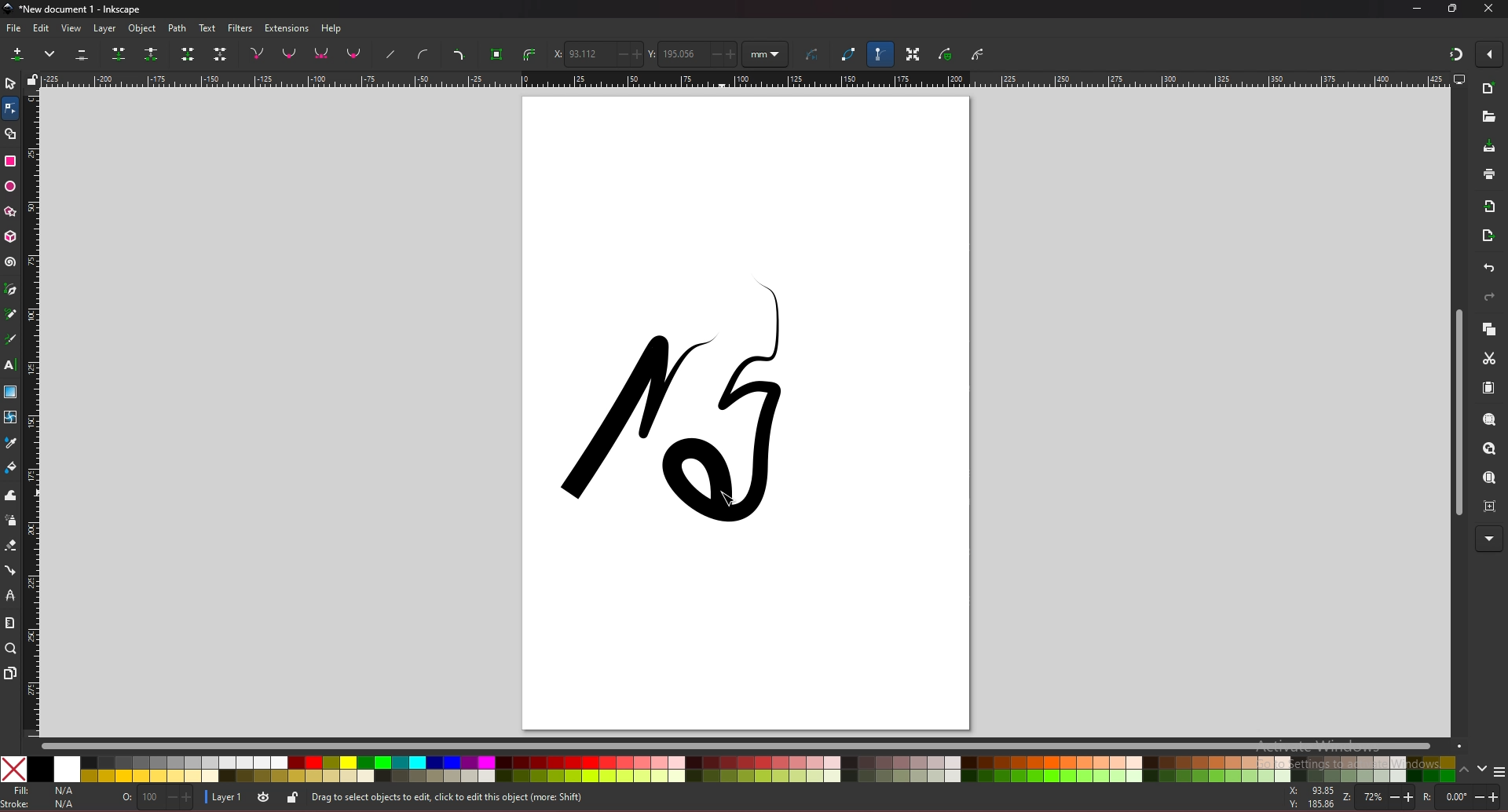 This screenshot has height=812, width=1508. I want to click on zoom, so click(10, 649).